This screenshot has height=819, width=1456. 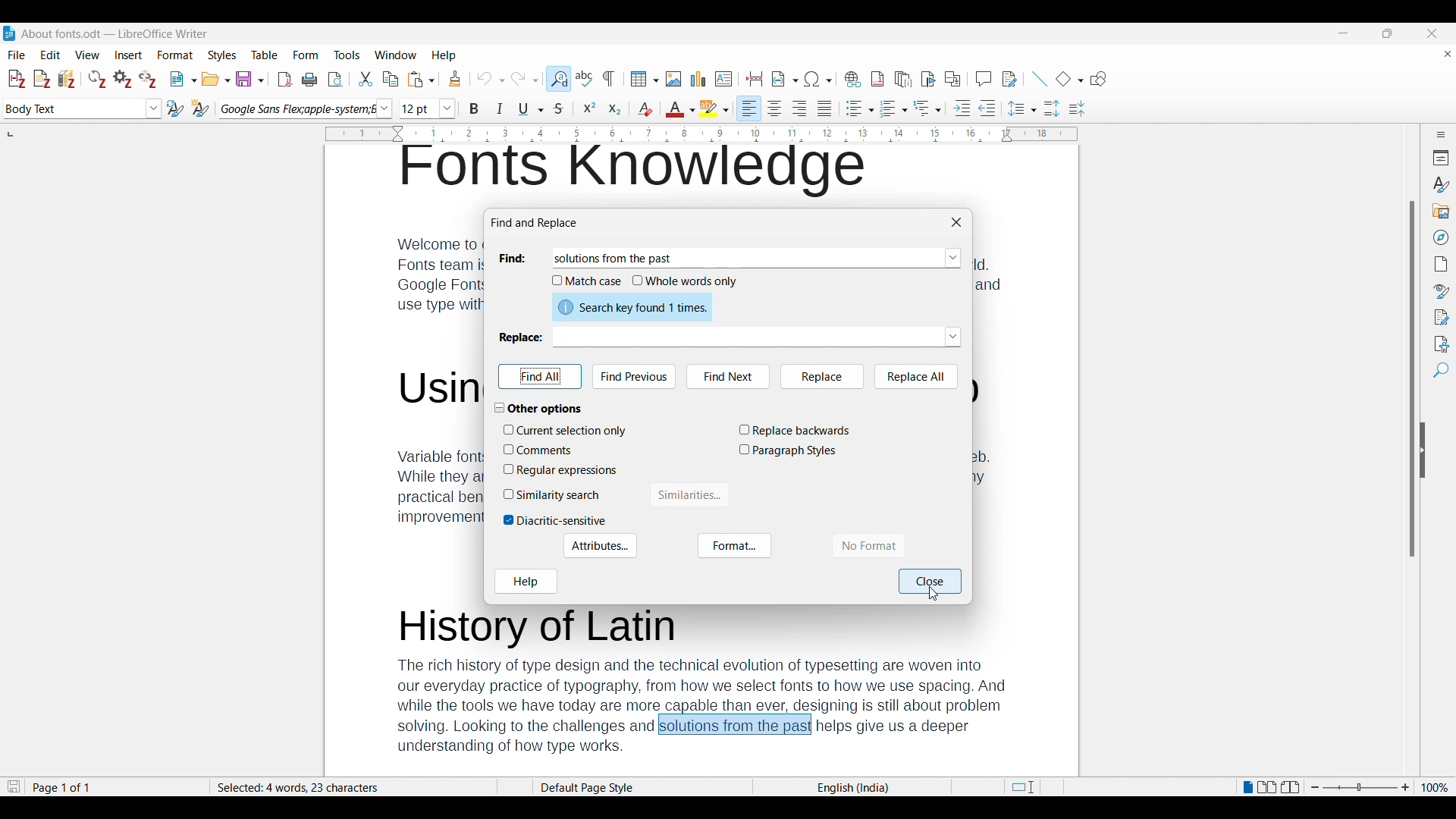 What do you see at coordinates (894, 109) in the screenshot?
I see `Toggle ordered list options` at bounding box center [894, 109].